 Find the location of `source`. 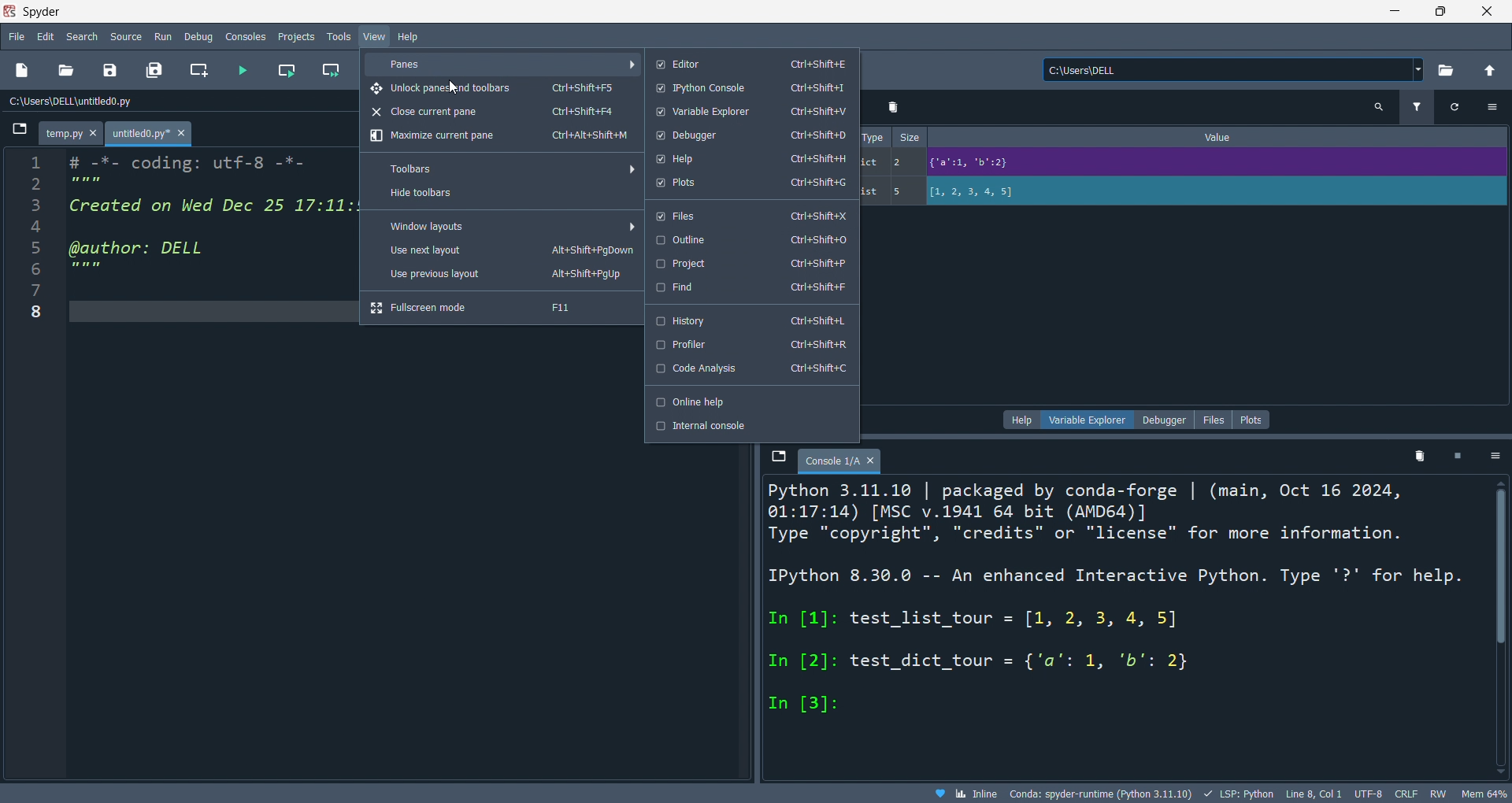

source is located at coordinates (125, 35).